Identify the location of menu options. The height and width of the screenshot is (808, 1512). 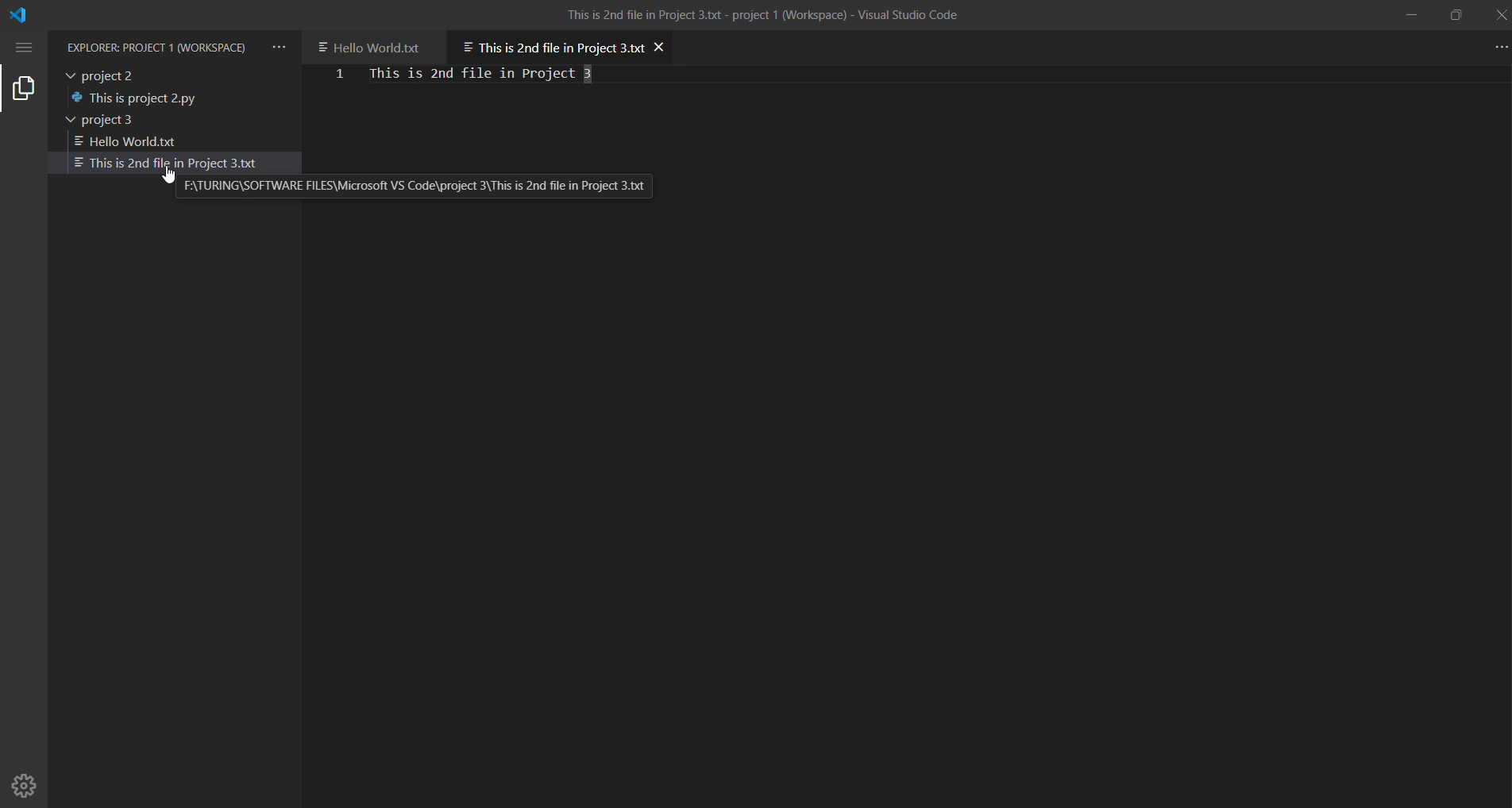
(26, 47).